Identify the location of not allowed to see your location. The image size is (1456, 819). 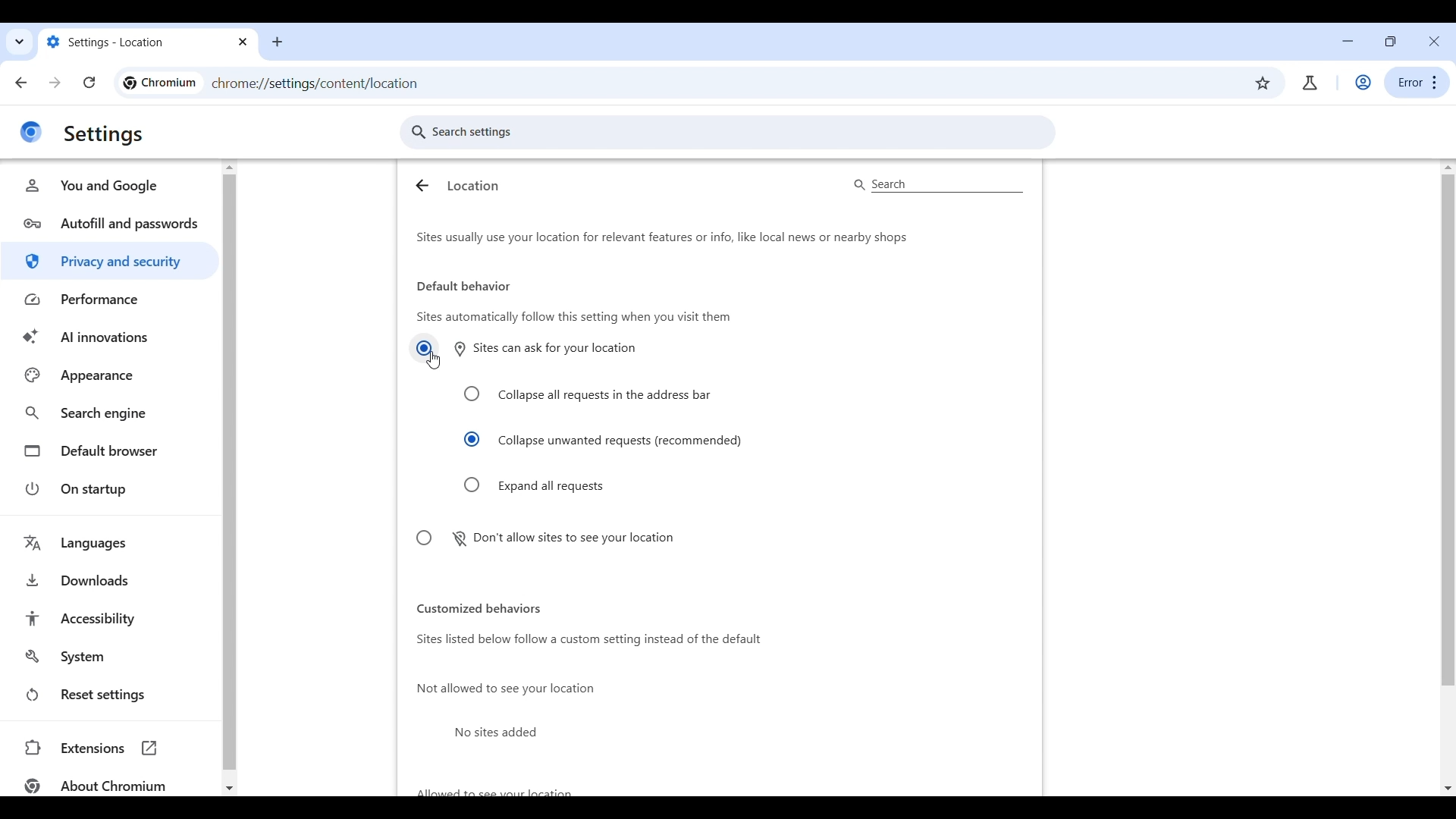
(503, 687).